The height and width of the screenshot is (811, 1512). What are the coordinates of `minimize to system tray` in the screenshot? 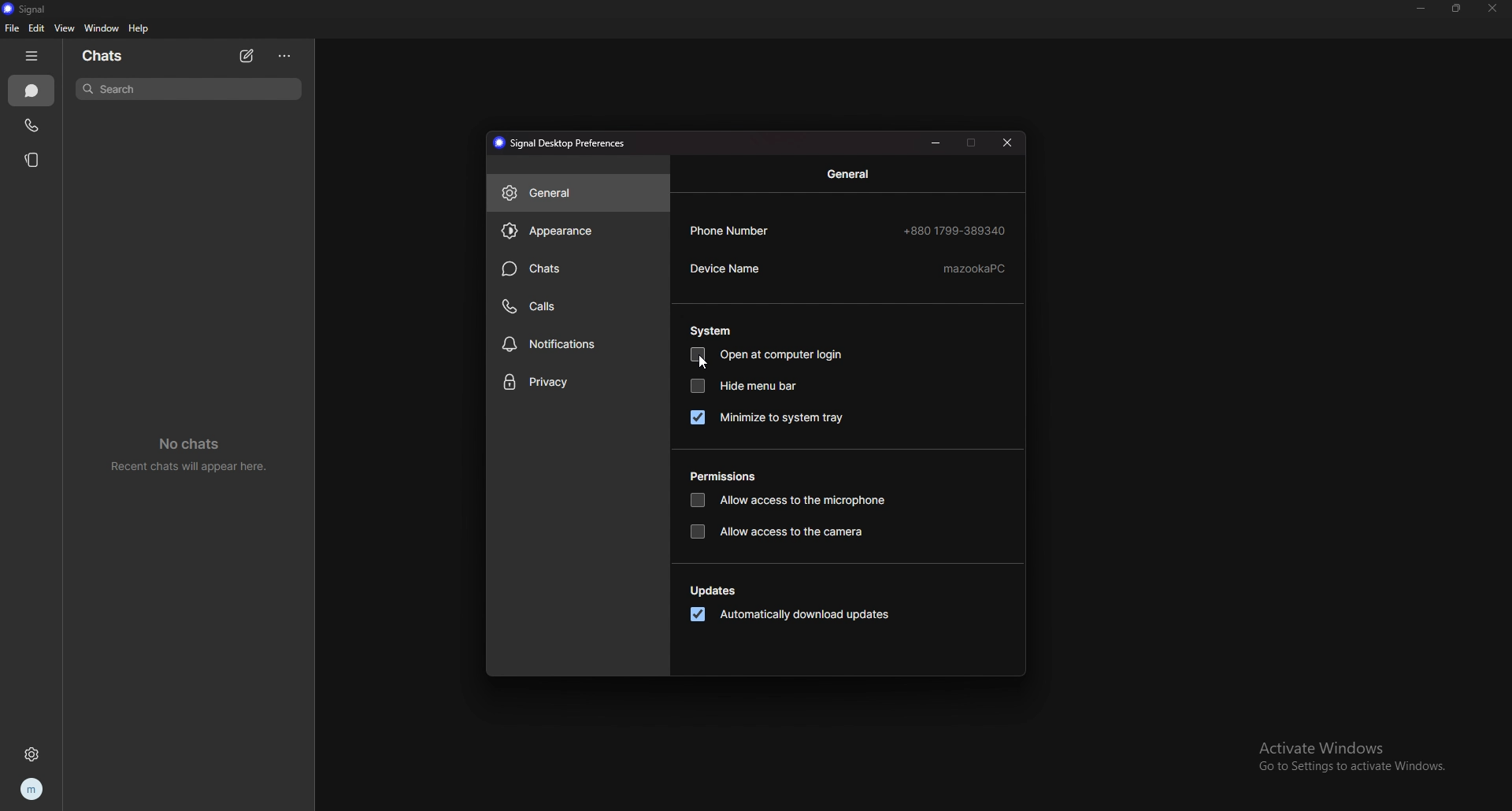 It's located at (767, 417).